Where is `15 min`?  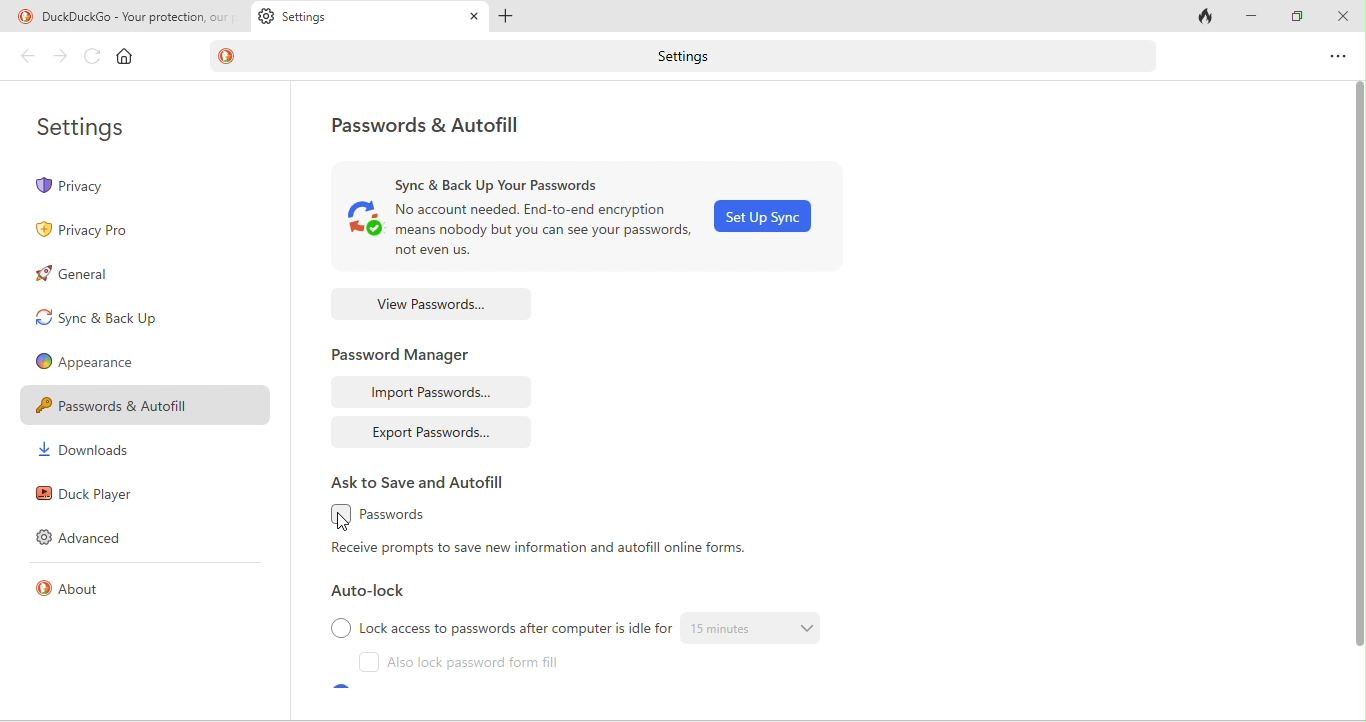
15 min is located at coordinates (759, 628).